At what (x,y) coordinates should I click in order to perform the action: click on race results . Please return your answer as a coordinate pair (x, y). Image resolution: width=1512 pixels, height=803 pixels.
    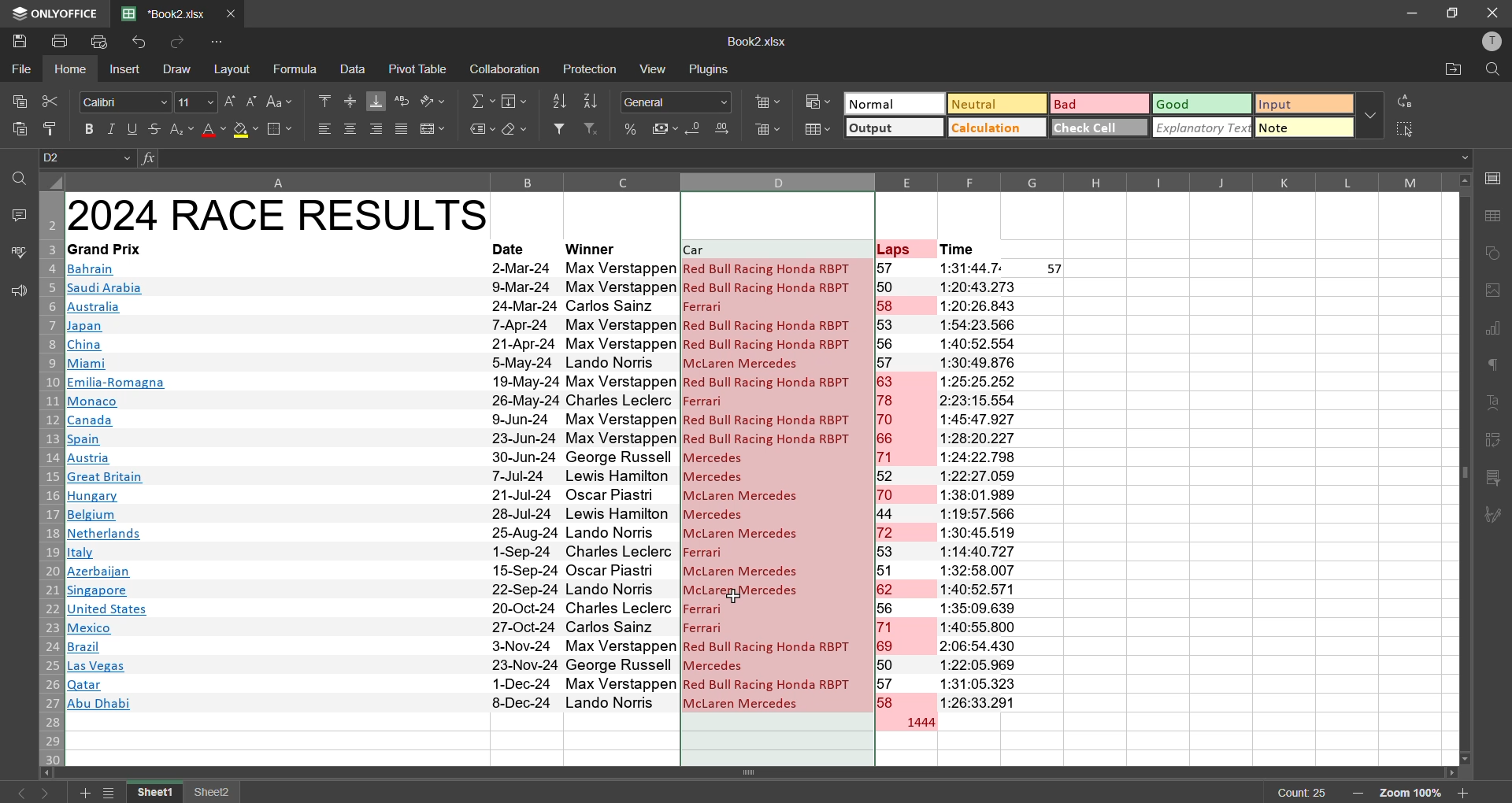
    Looking at the image, I should click on (278, 214).